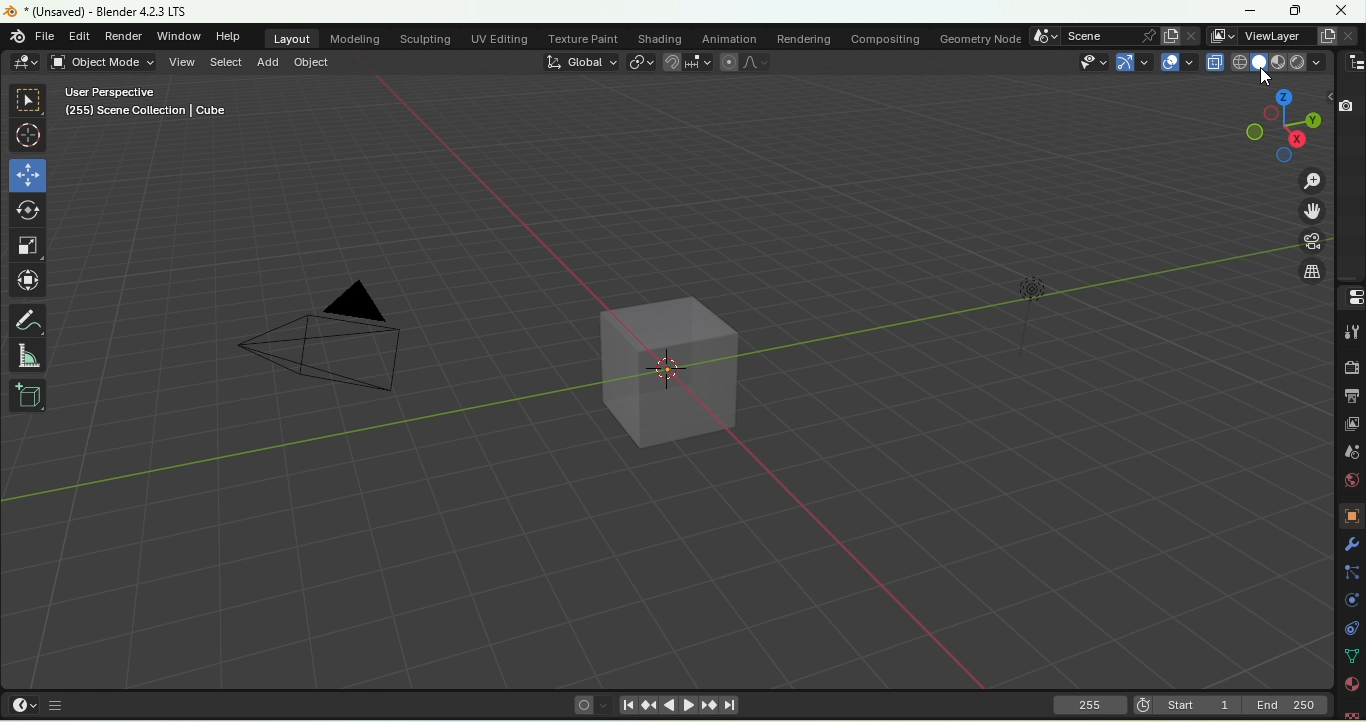 Image resolution: width=1366 pixels, height=722 pixels. What do you see at coordinates (1283, 98) in the screenshot?
I see `Rotate the view` at bounding box center [1283, 98].